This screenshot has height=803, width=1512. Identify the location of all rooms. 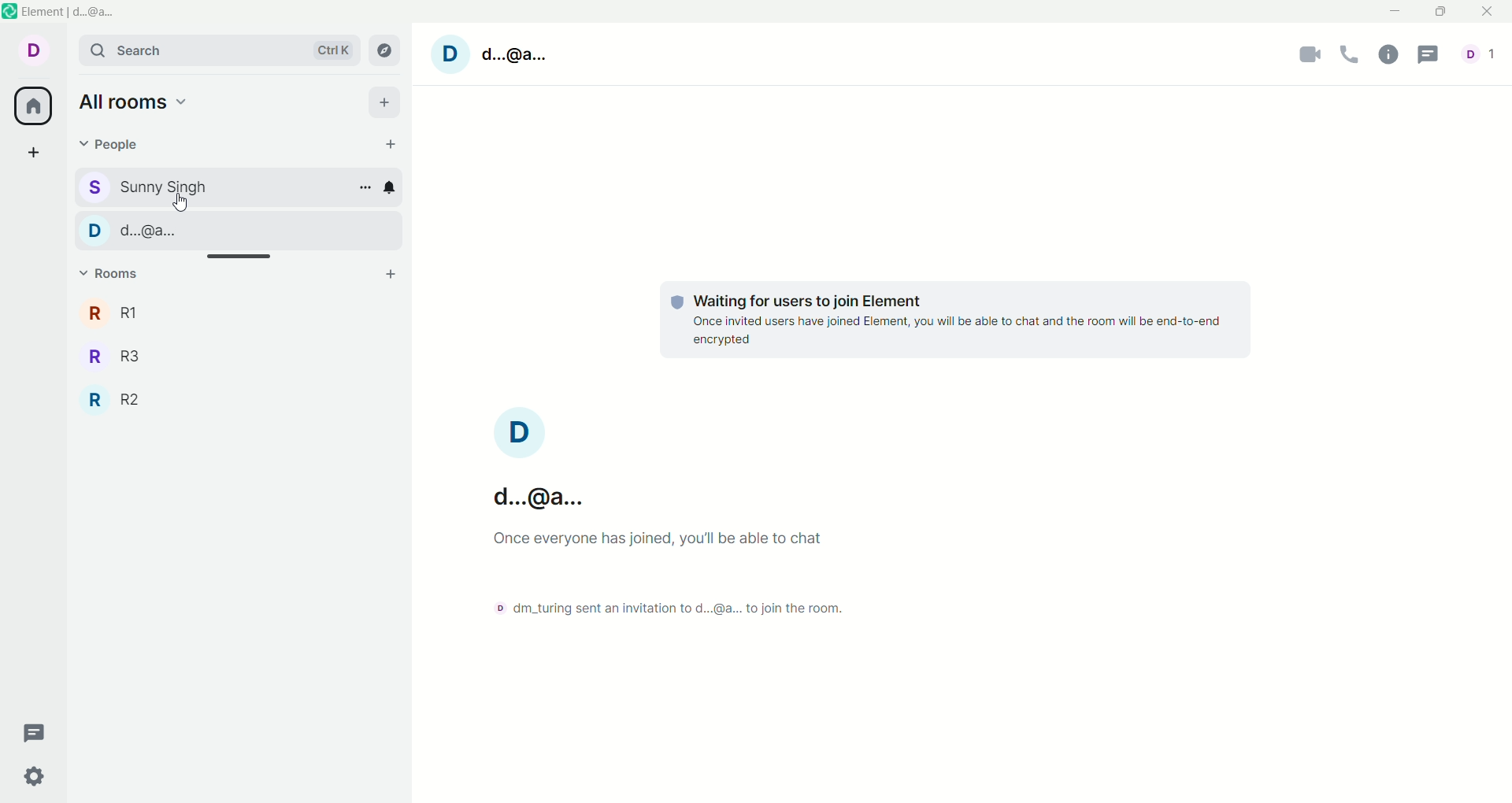
(132, 98).